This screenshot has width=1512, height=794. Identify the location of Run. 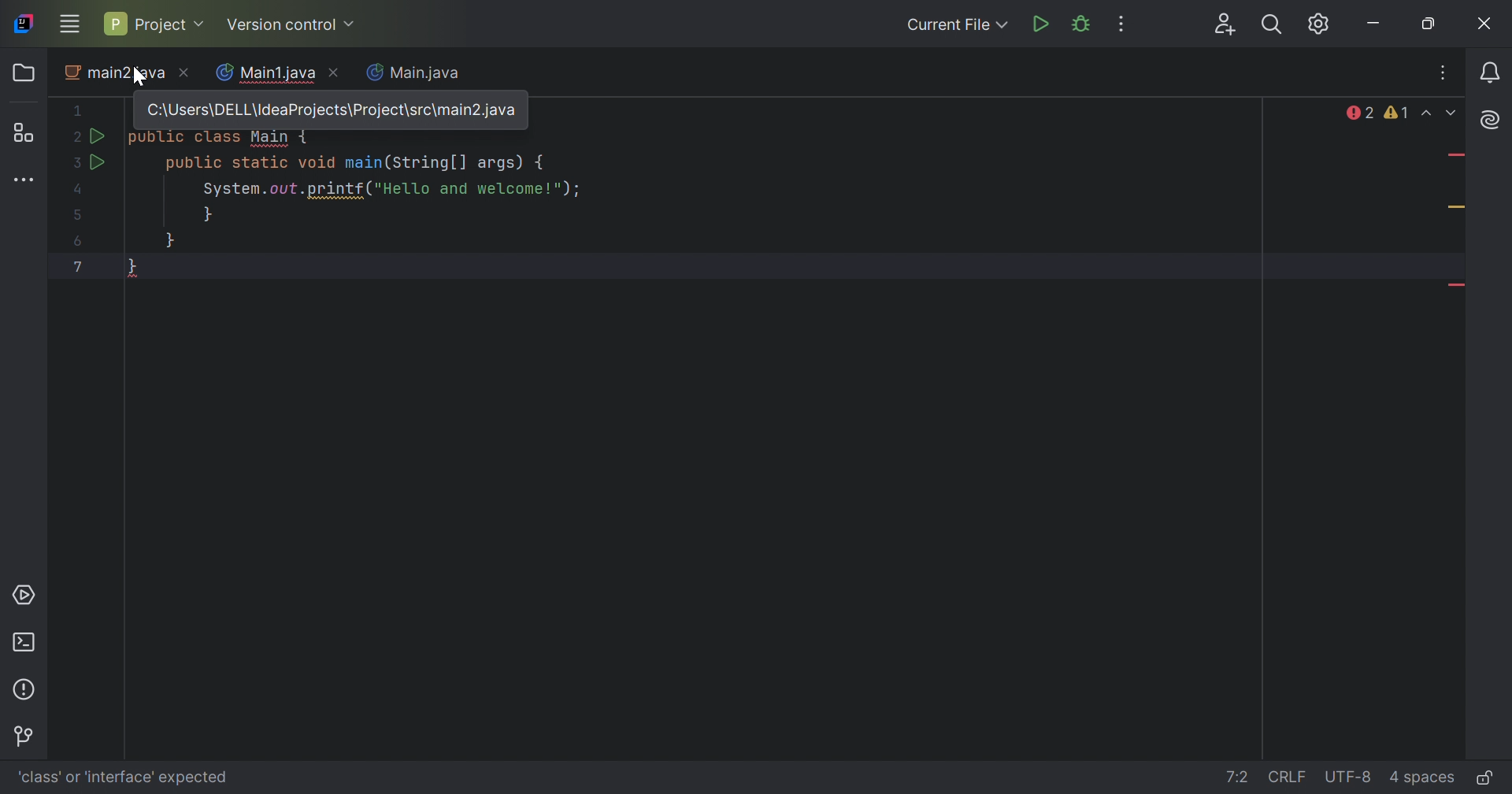
(1040, 26).